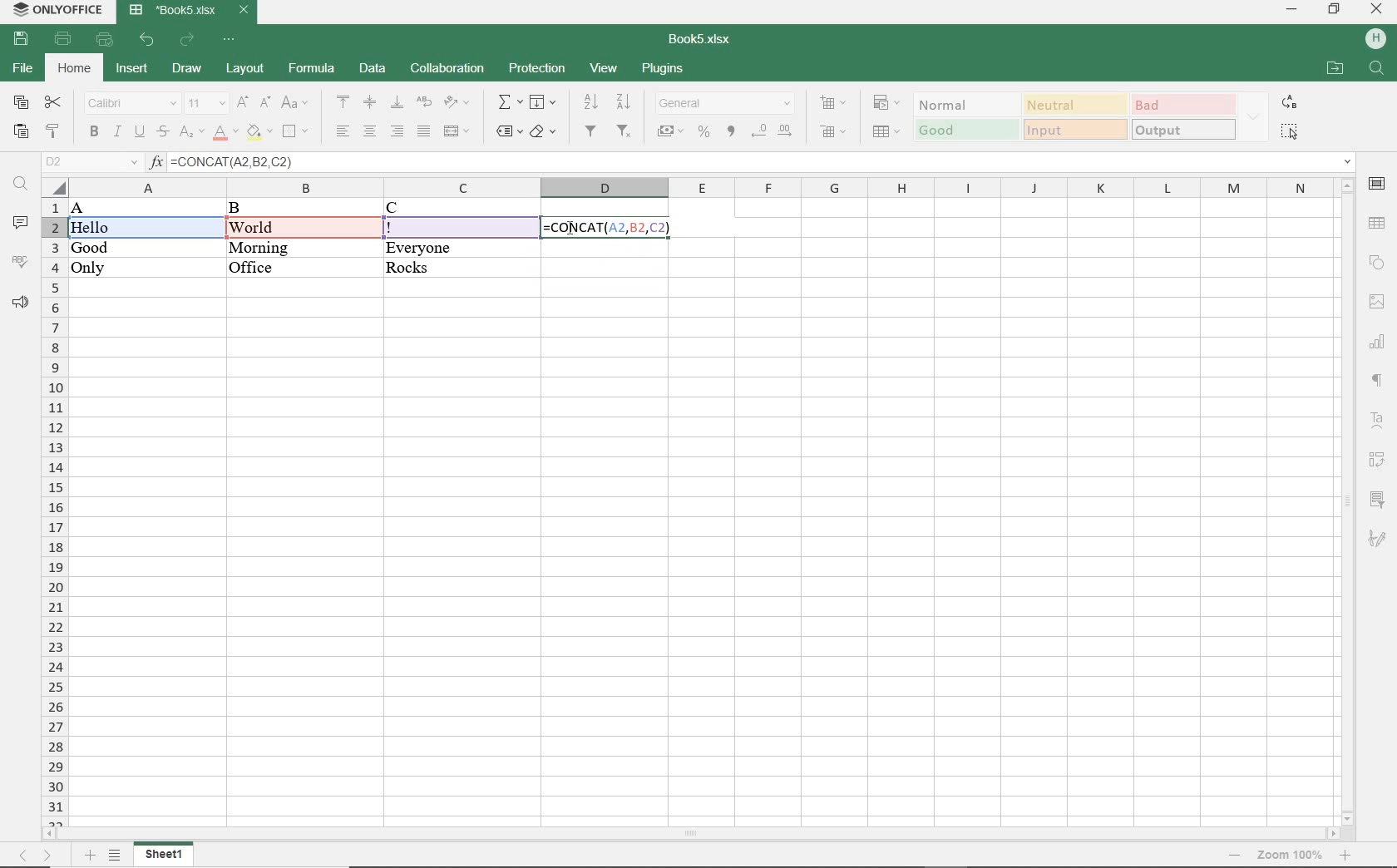  What do you see at coordinates (605, 67) in the screenshot?
I see `VIEW` at bounding box center [605, 67].